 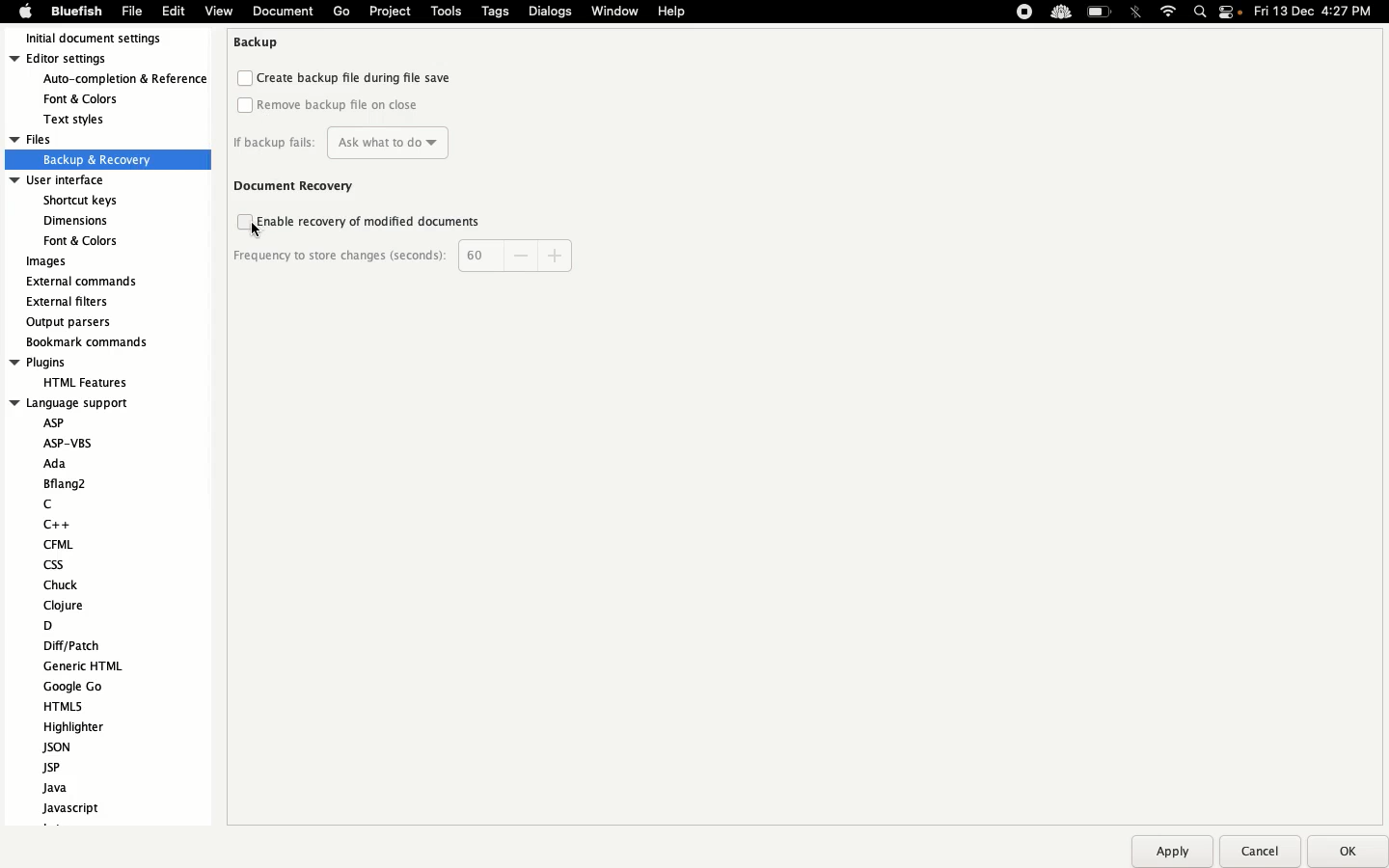 I want to click on Initial document settings, so click(x=102, y=39).